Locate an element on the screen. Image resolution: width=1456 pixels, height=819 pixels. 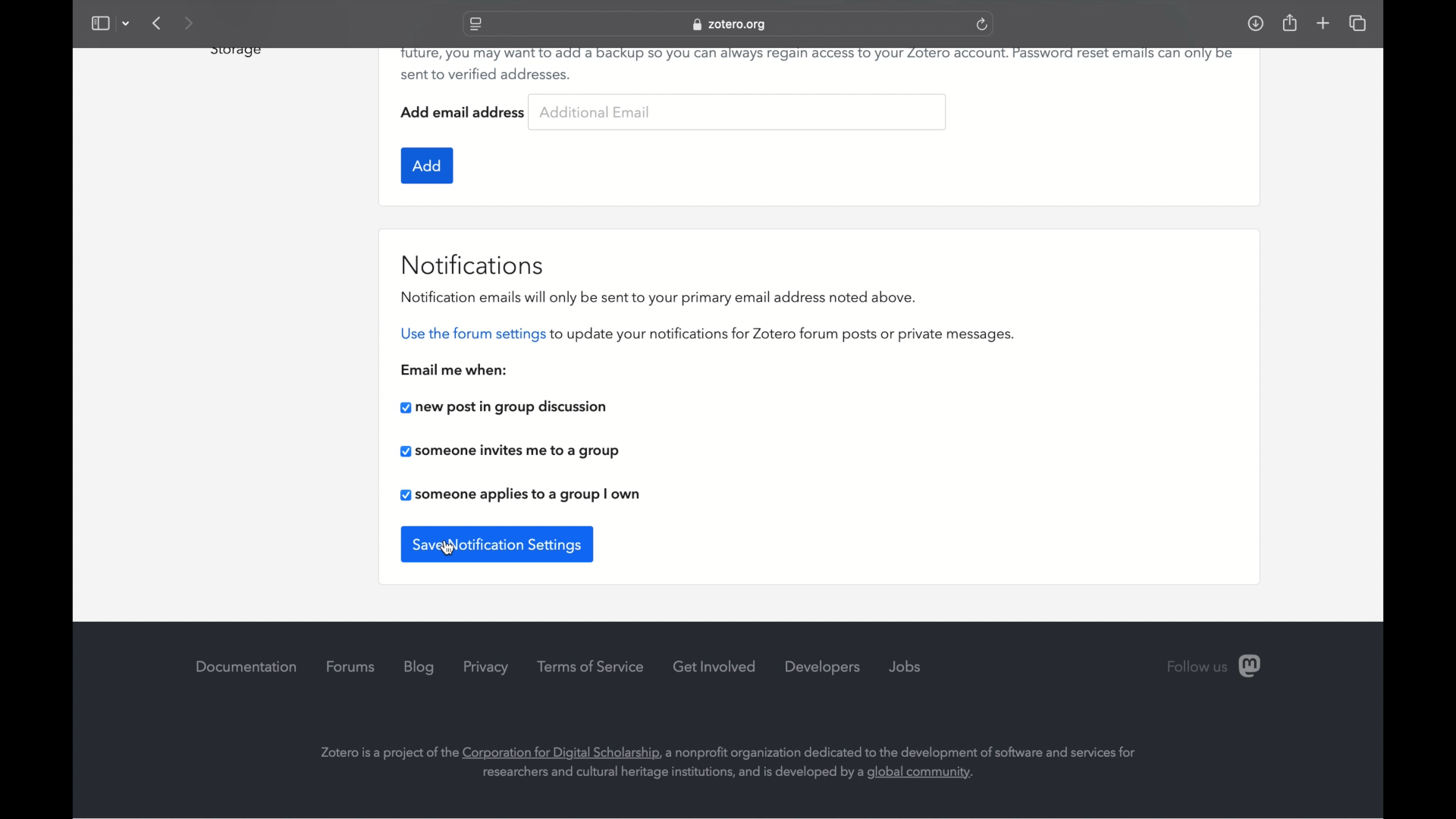
add email address is located at coordinates (464, 112).